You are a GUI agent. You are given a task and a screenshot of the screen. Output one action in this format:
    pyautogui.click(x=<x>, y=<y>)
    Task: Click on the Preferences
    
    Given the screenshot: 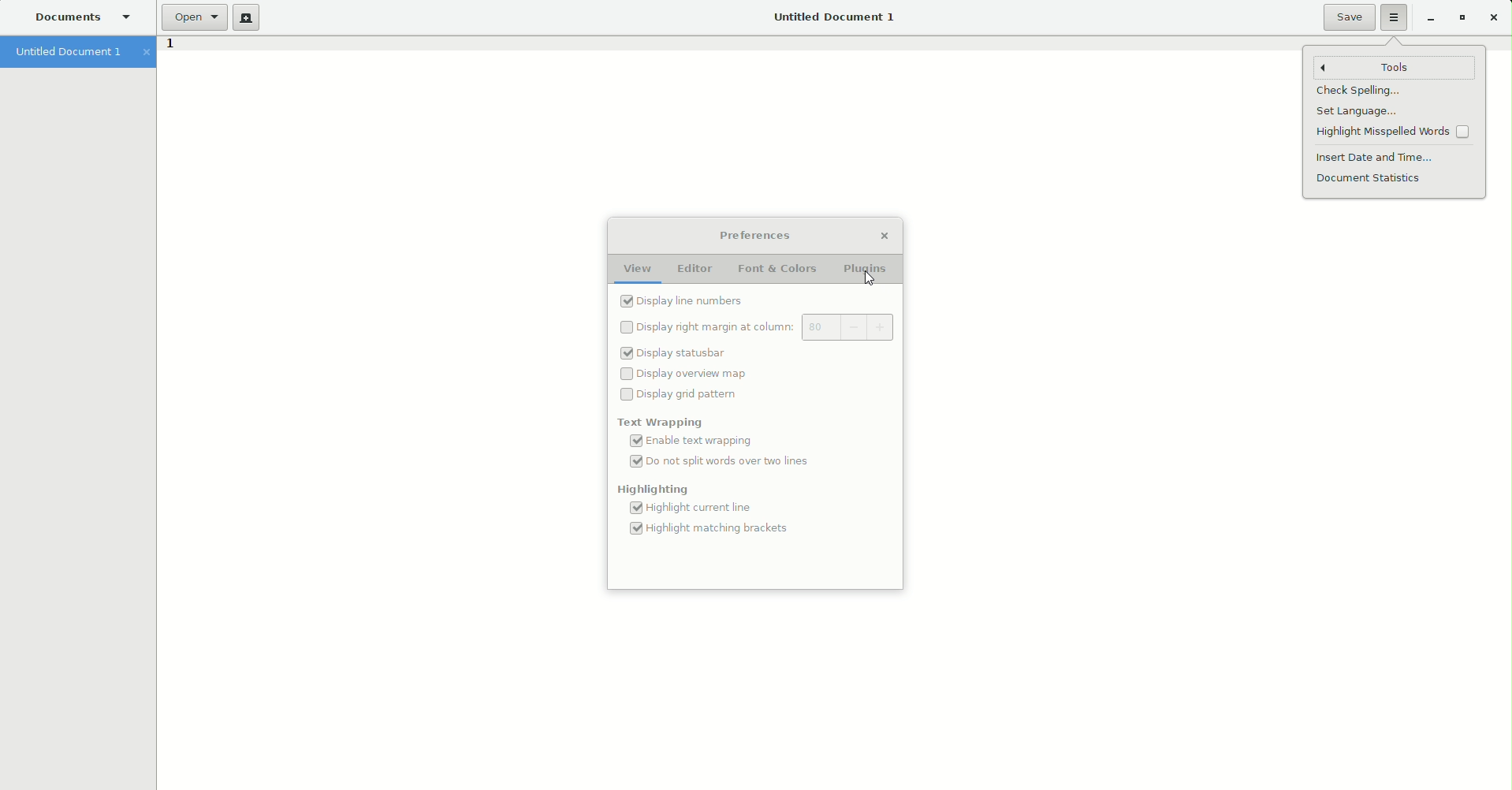 What is the action you would take?
    pyautogui.click(x=754, y=235)
    